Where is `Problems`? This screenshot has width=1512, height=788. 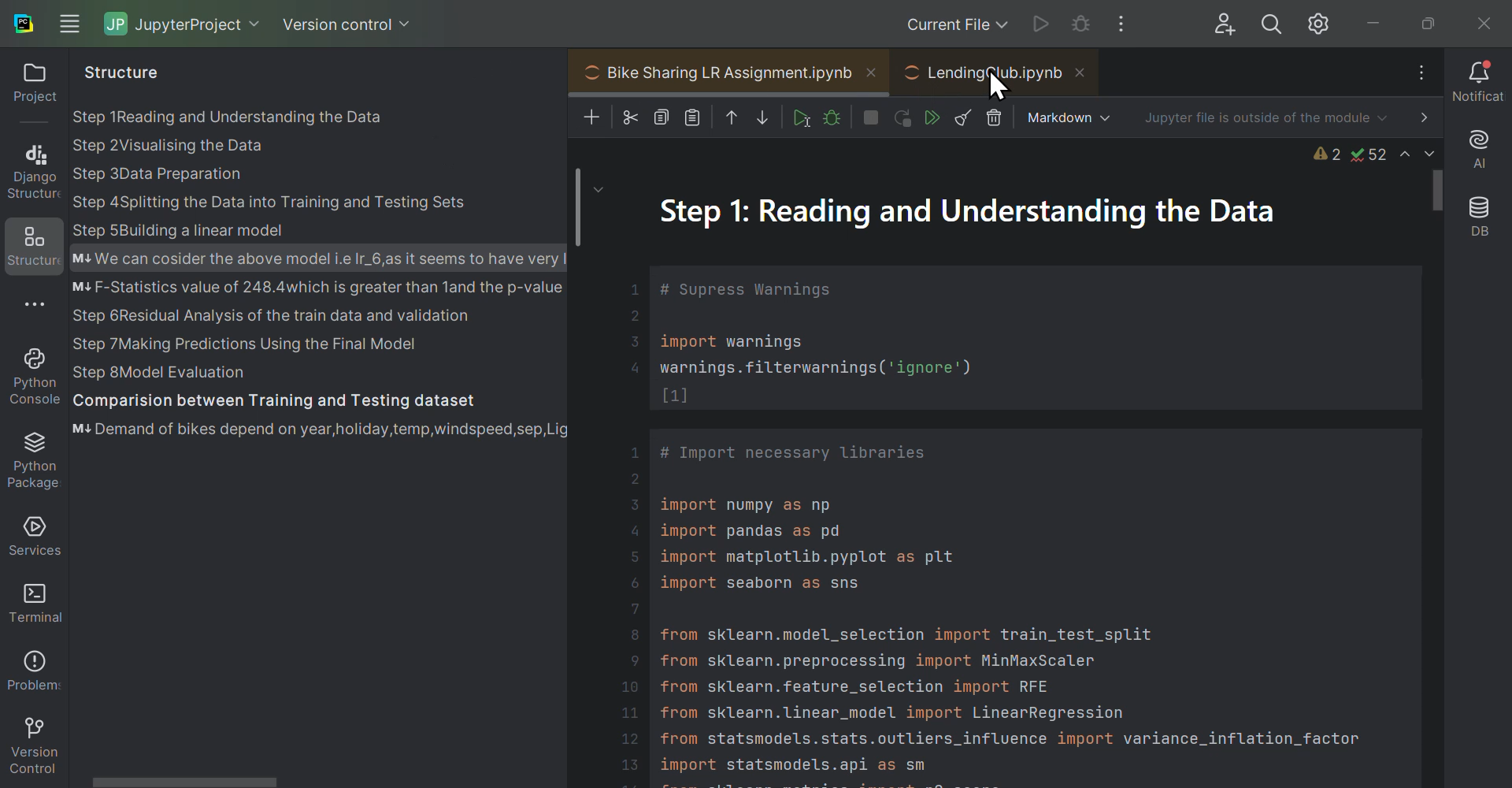
Problems is located at coordinates (1369, 158).